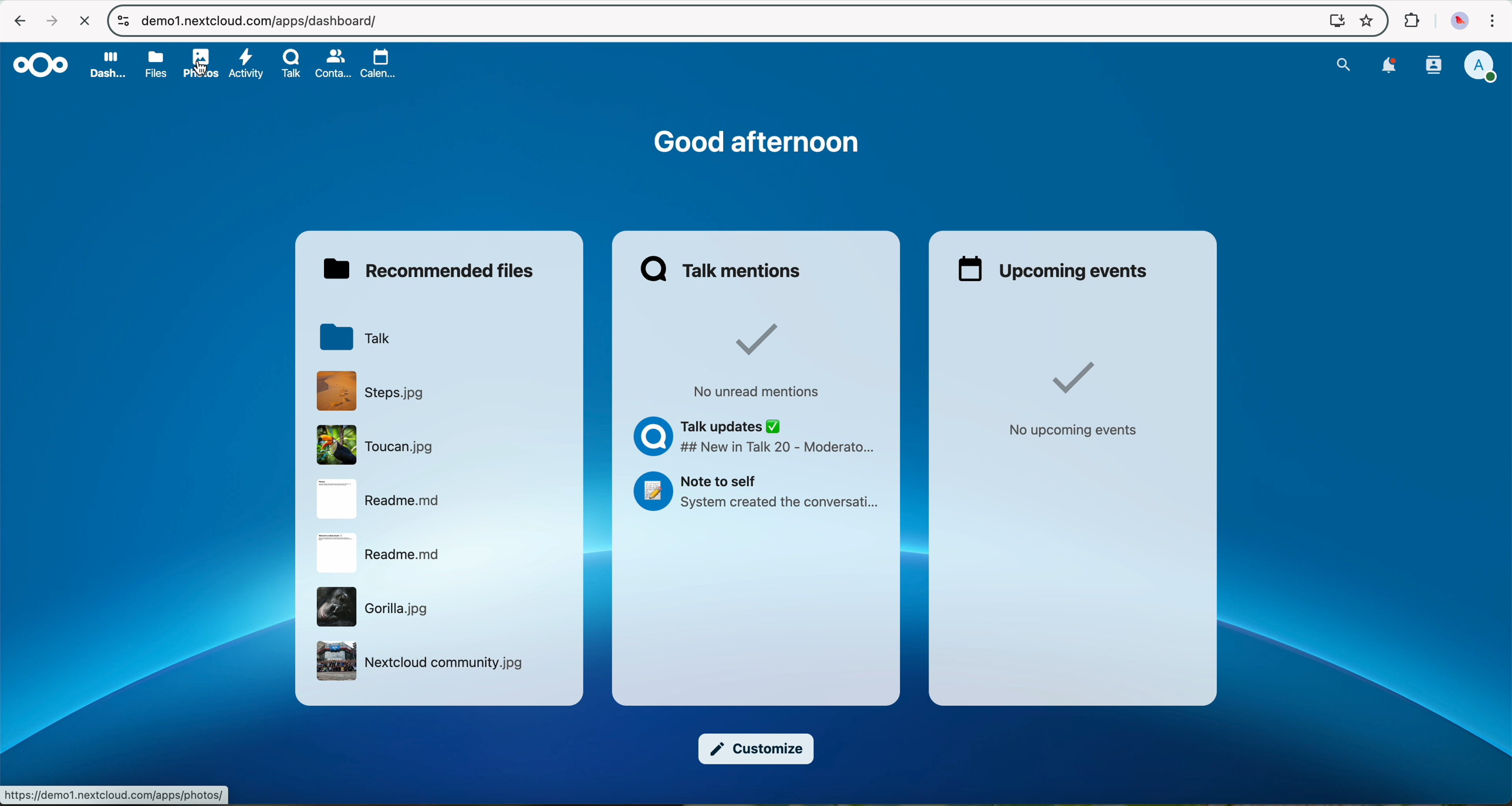  I want to click on cursor, so click(202, 73).